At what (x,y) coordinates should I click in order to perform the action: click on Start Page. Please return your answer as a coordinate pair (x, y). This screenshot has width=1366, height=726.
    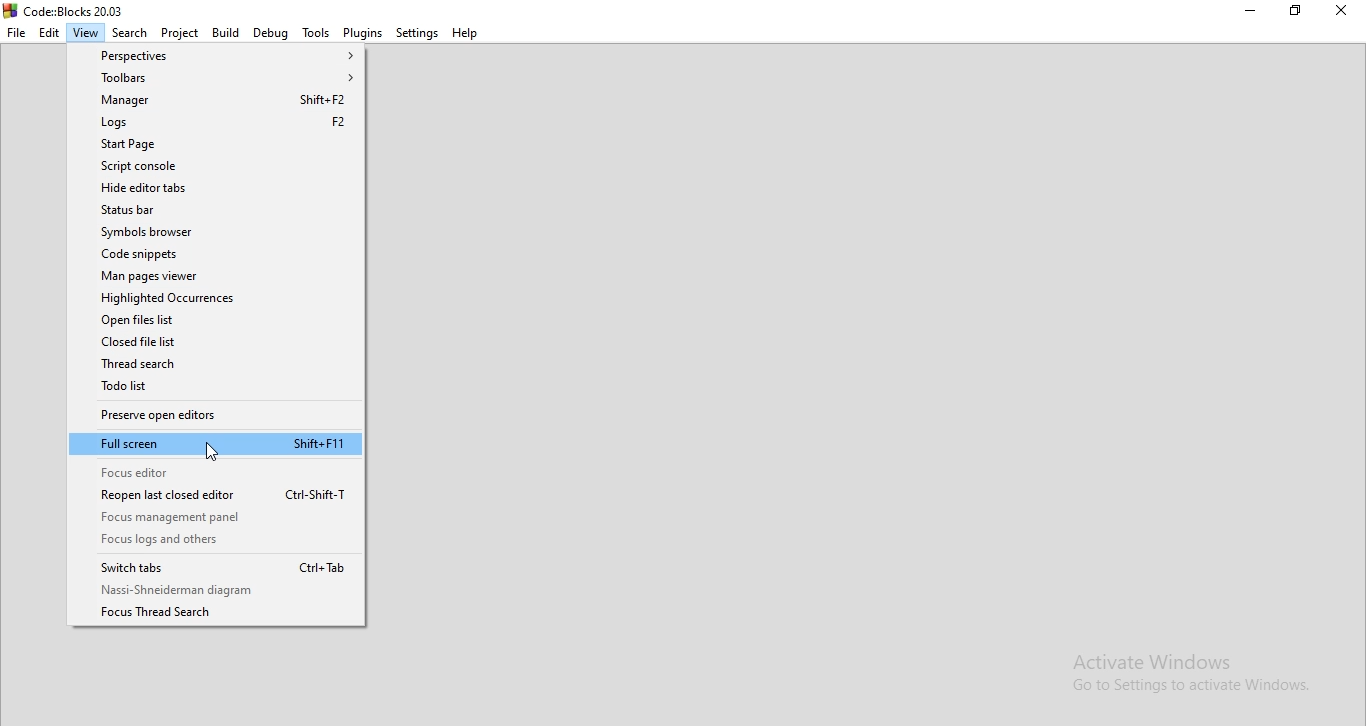
    Looking at the image, I should click on (212, 144).